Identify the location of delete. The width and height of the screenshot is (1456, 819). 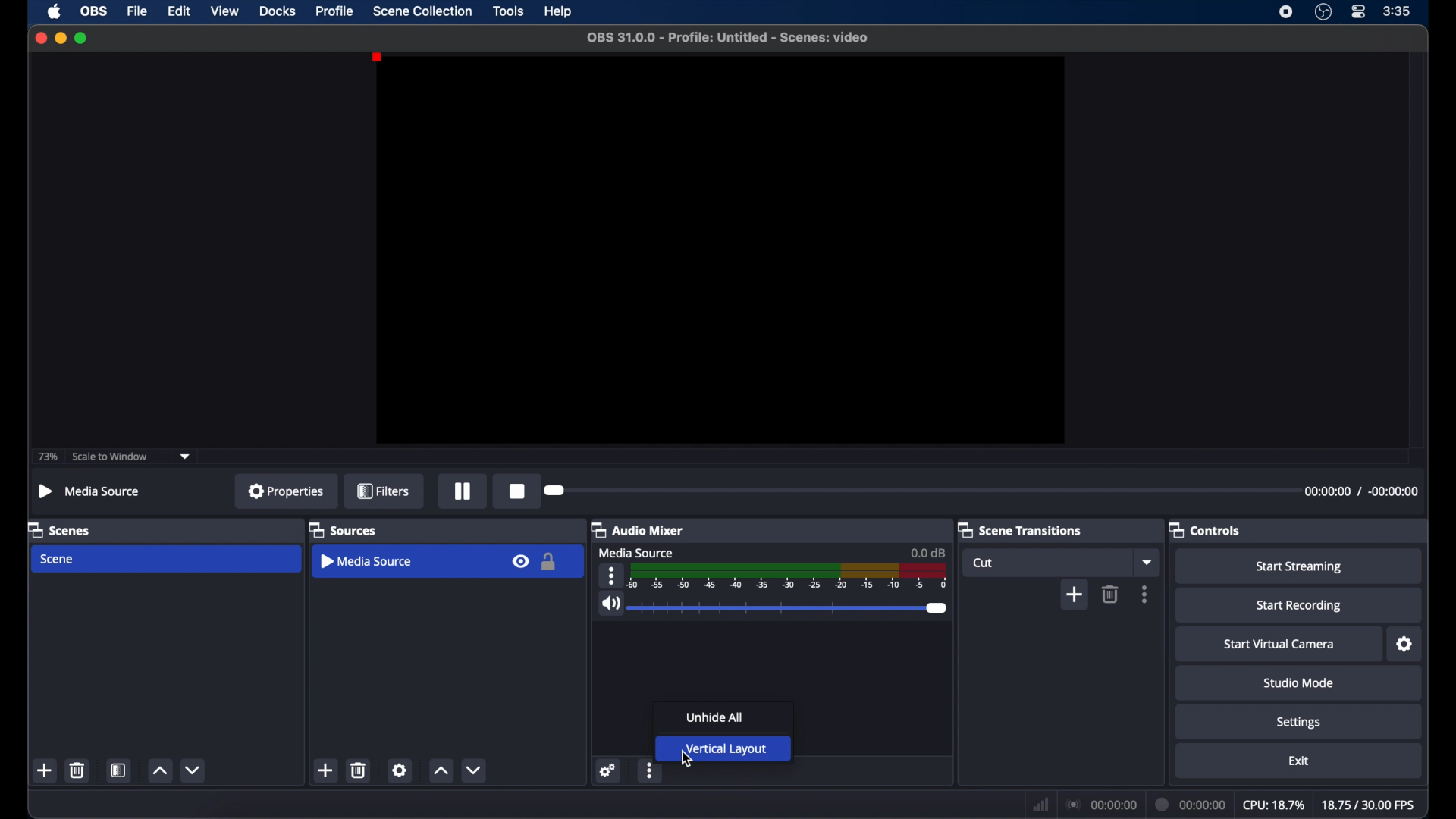
(1111, 594).